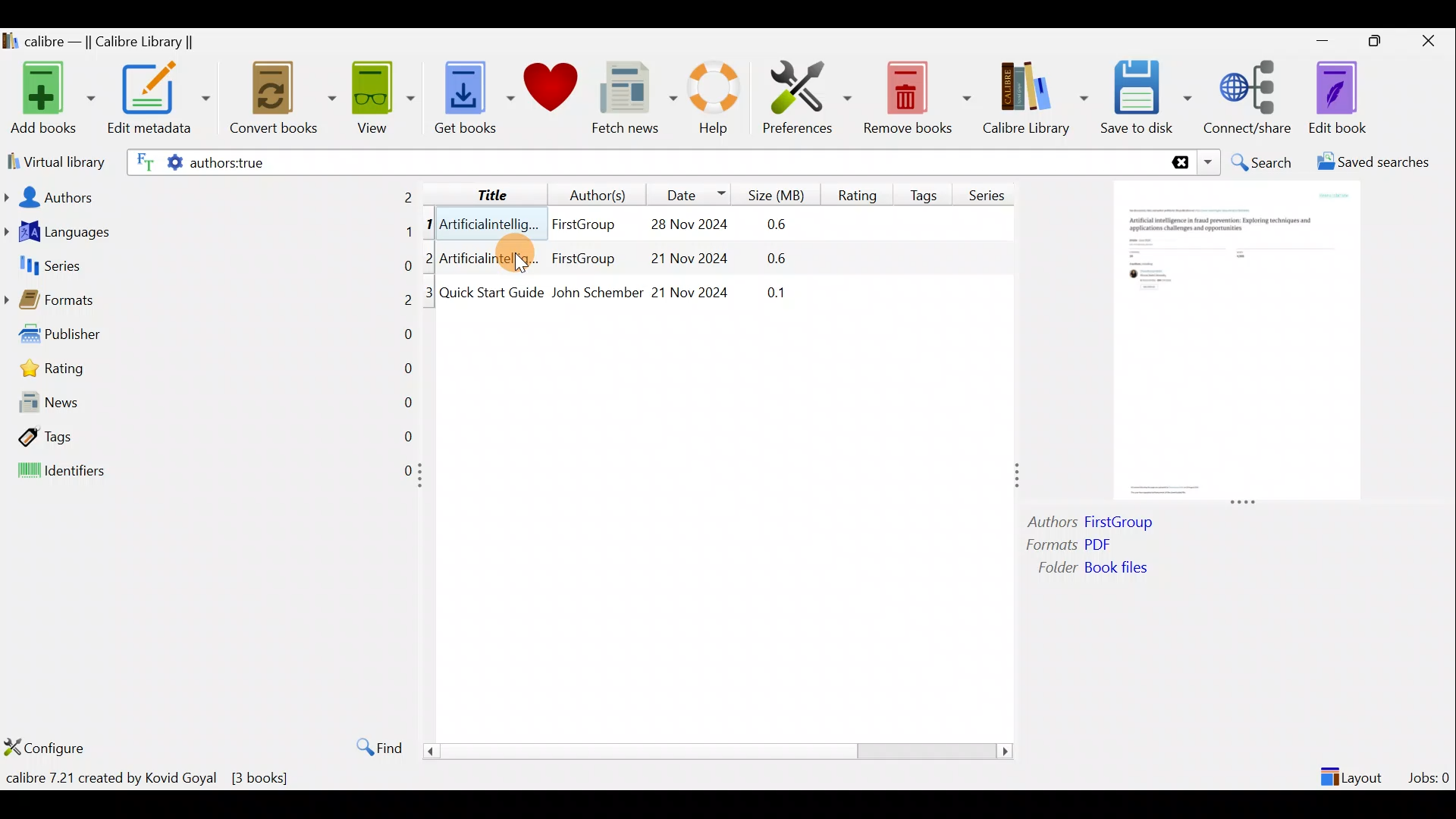 The height and width of the screenshot is (819, 1456). What do you see at coordinates (551, 93) in the screenshot?
I see `Donate` at bounding box center [551, 93].